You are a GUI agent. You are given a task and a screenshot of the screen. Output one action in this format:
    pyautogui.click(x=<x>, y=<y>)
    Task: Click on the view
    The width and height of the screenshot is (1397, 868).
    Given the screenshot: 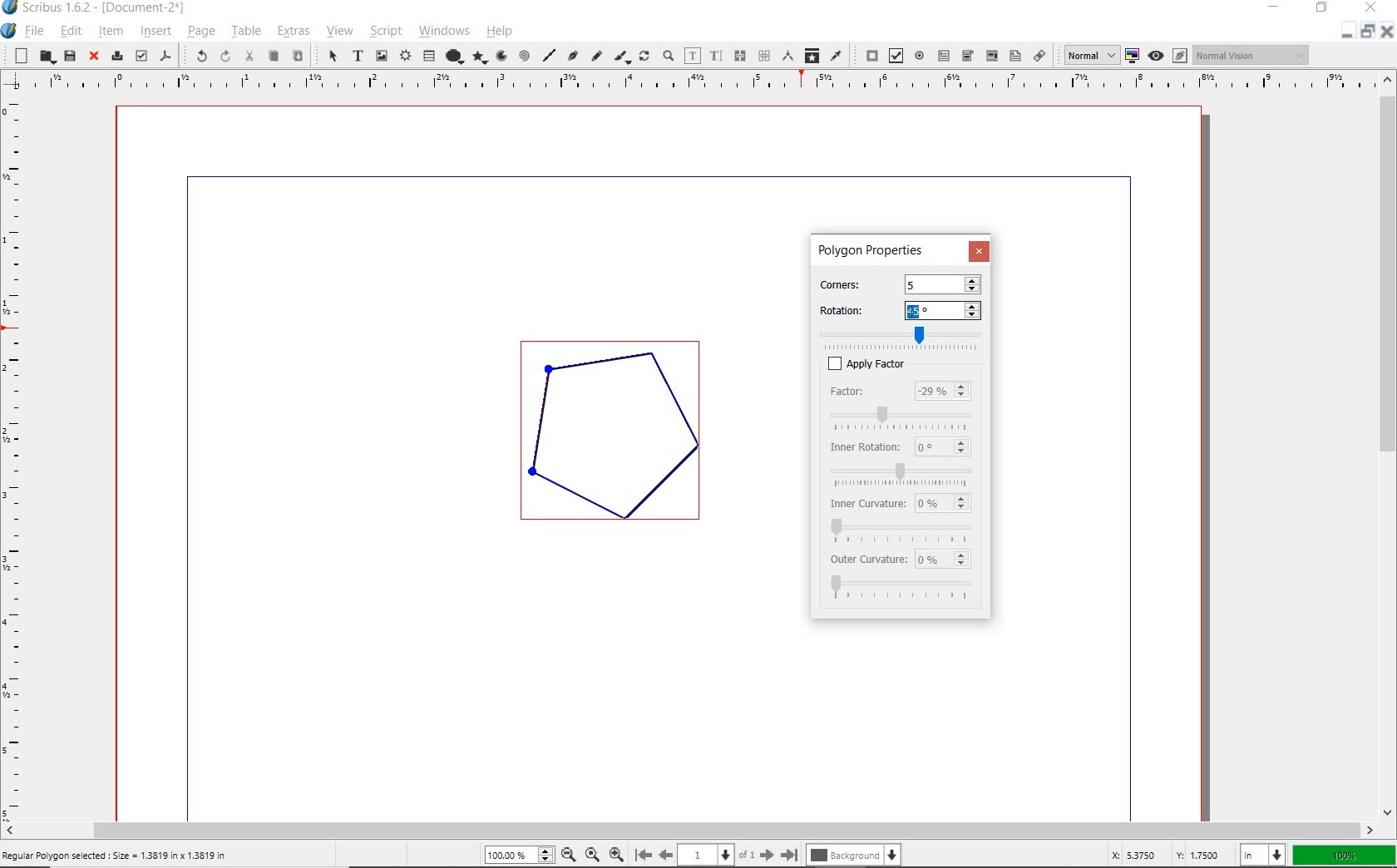 What is the action you would take?
    pyautogui.click(x=339, y=32)
    